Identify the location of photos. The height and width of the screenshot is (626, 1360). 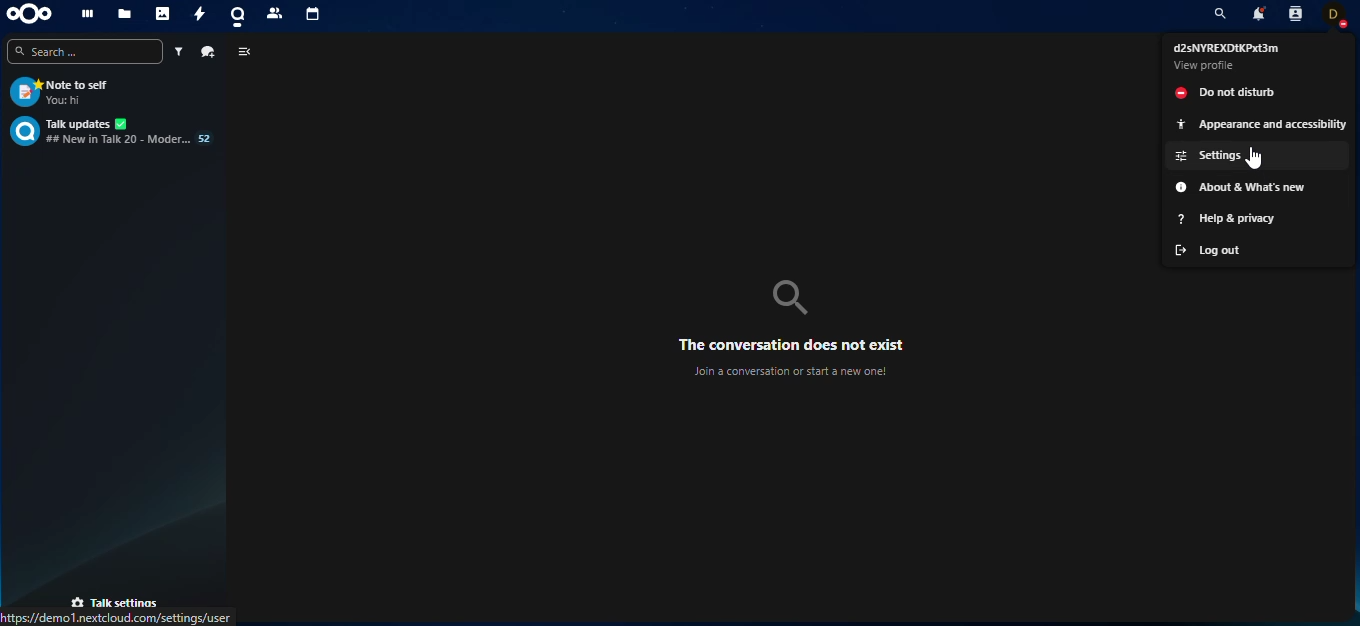
(162, 14).